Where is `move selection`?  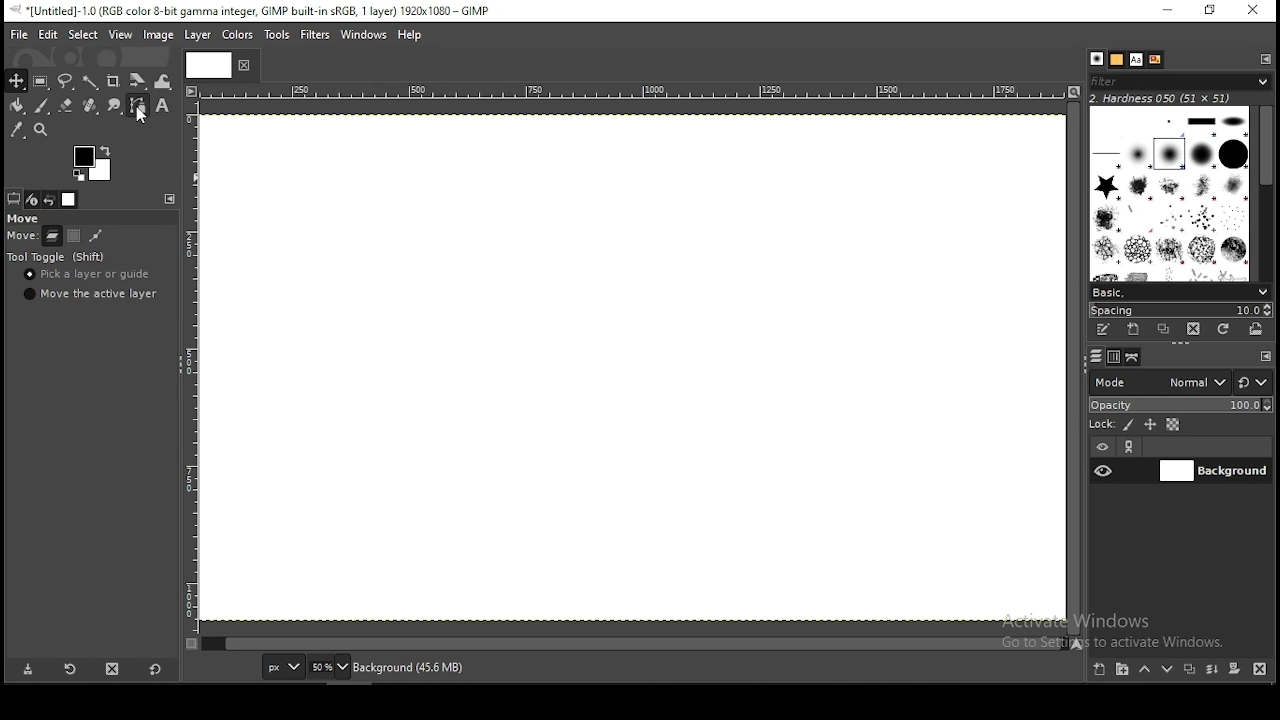 move selection is located at coordinates (73, 236).